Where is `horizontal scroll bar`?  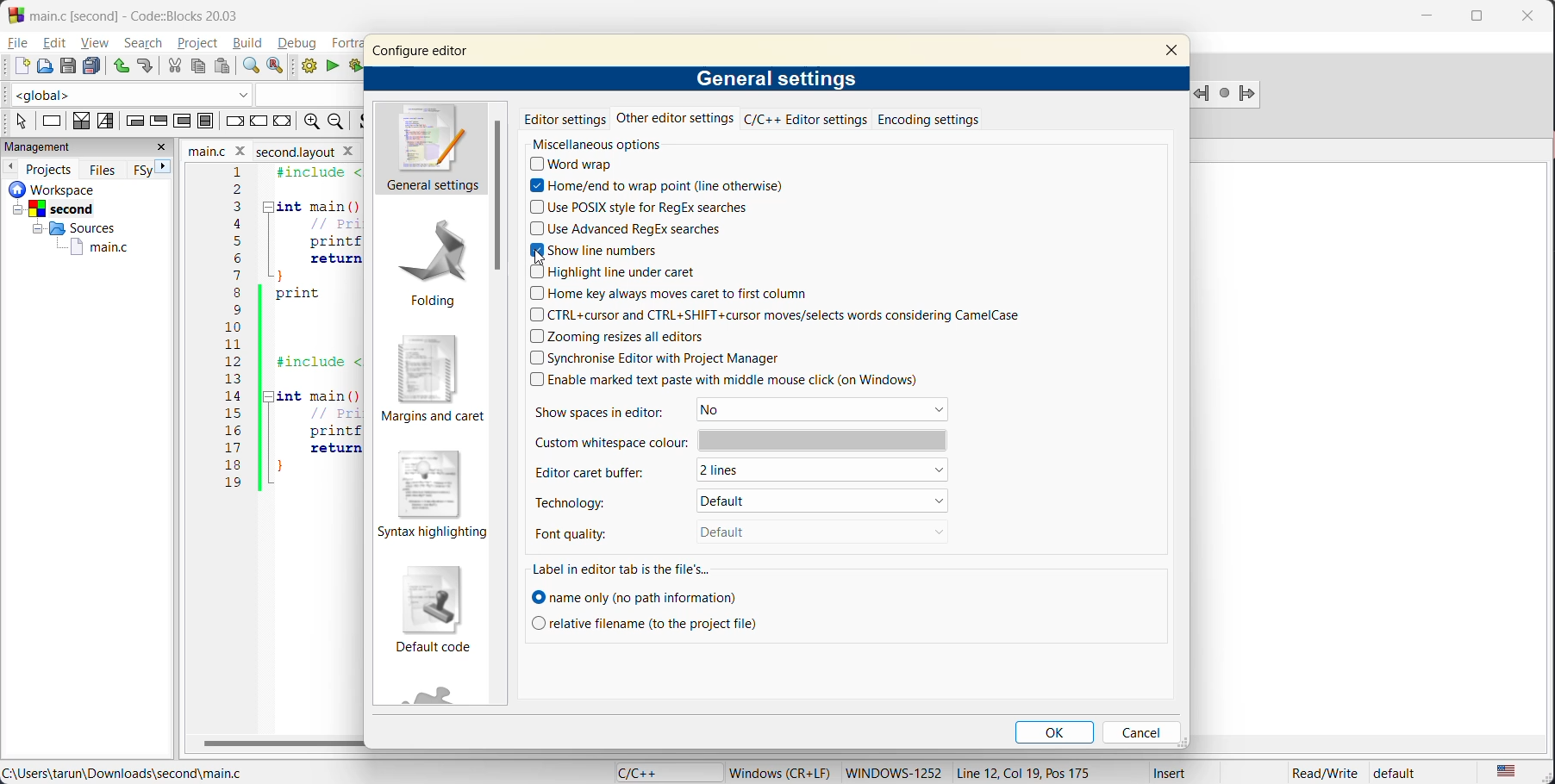 horizontal scroll bar is located at coordinates (276, 744).